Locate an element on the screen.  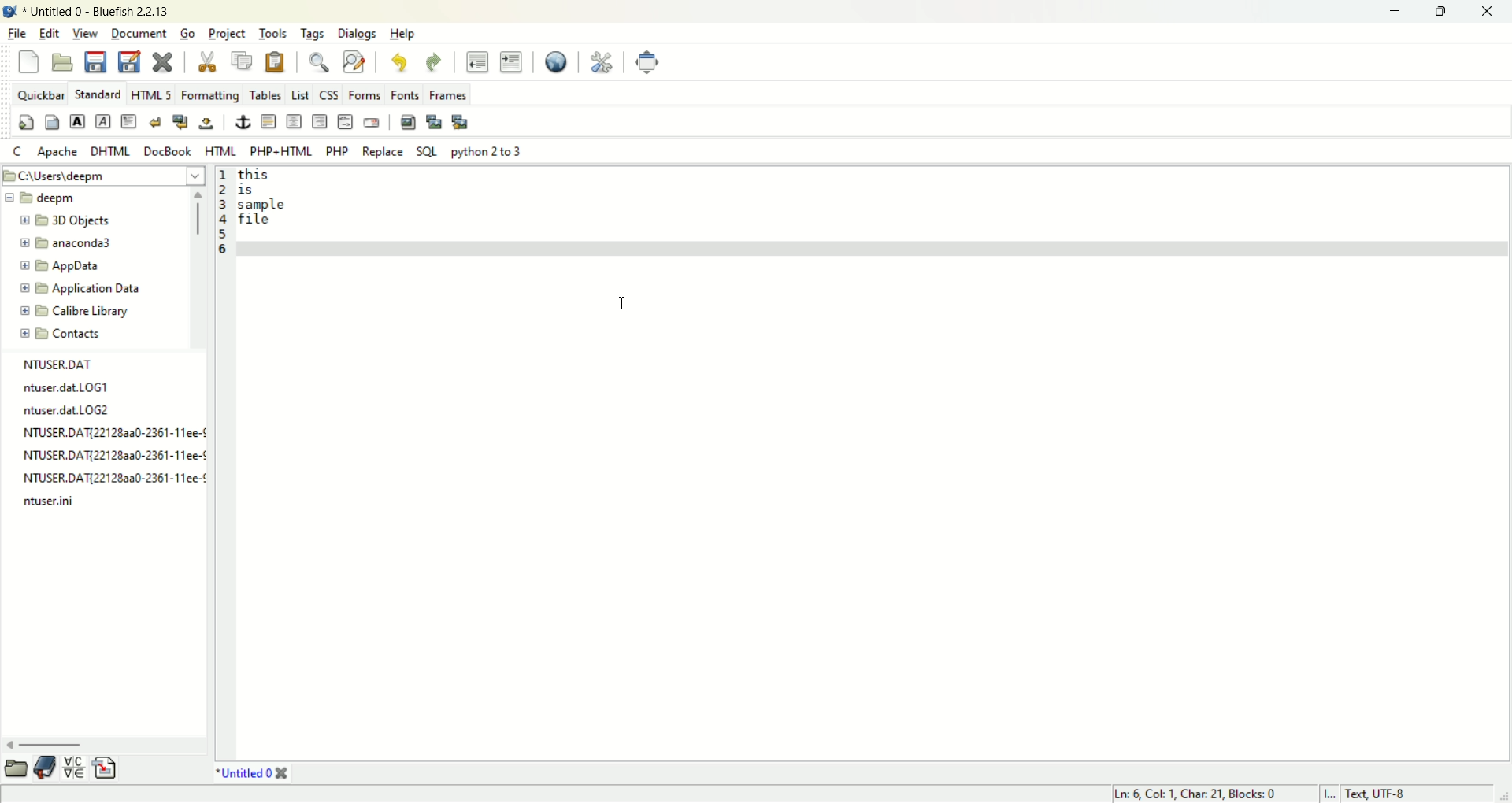
PHP+HTML is located at coordinates (279, 151).